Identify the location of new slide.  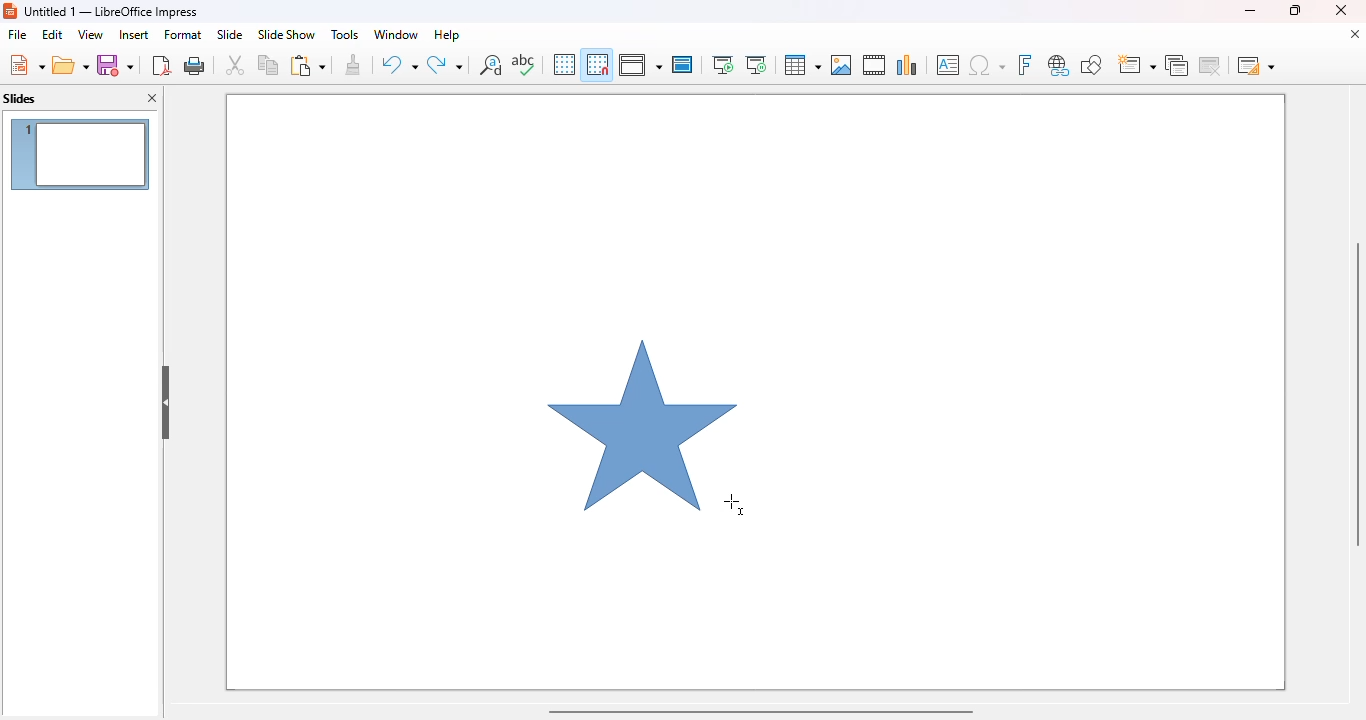
(1135, 65).